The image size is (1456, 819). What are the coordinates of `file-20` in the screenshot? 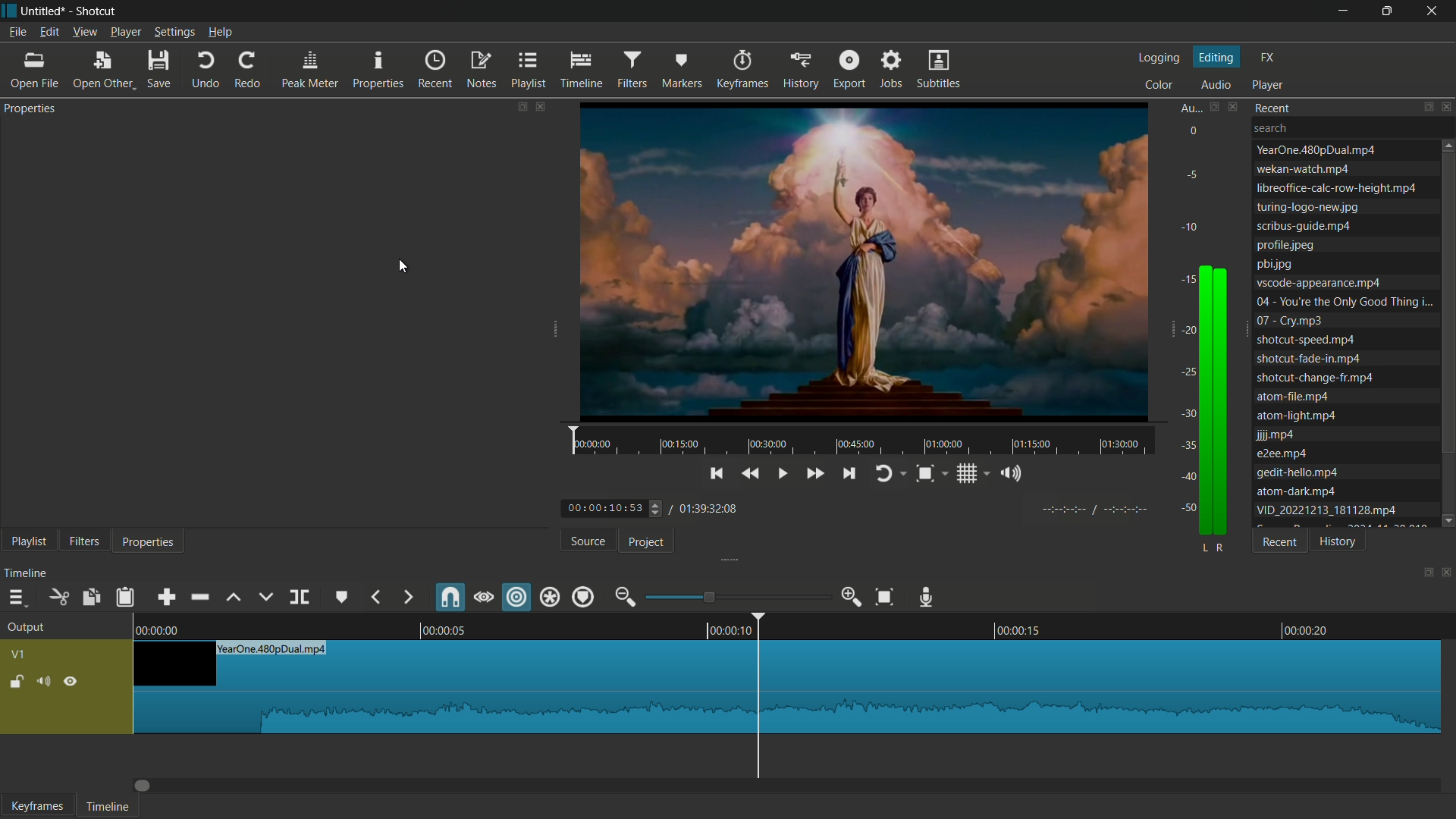 It's located at (1325, 510).